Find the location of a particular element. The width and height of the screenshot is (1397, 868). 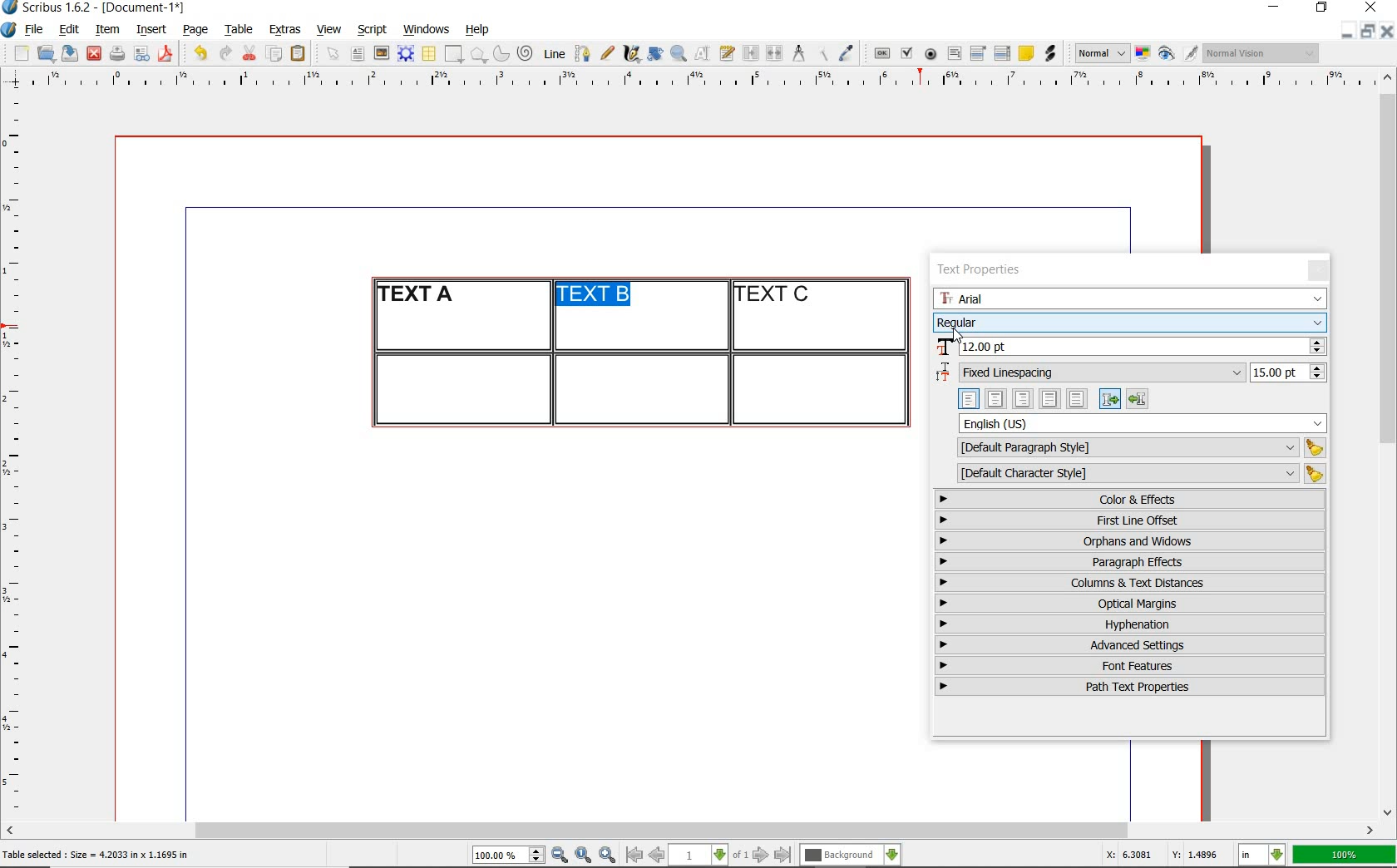

font size is located at coordinates (1130, 348).